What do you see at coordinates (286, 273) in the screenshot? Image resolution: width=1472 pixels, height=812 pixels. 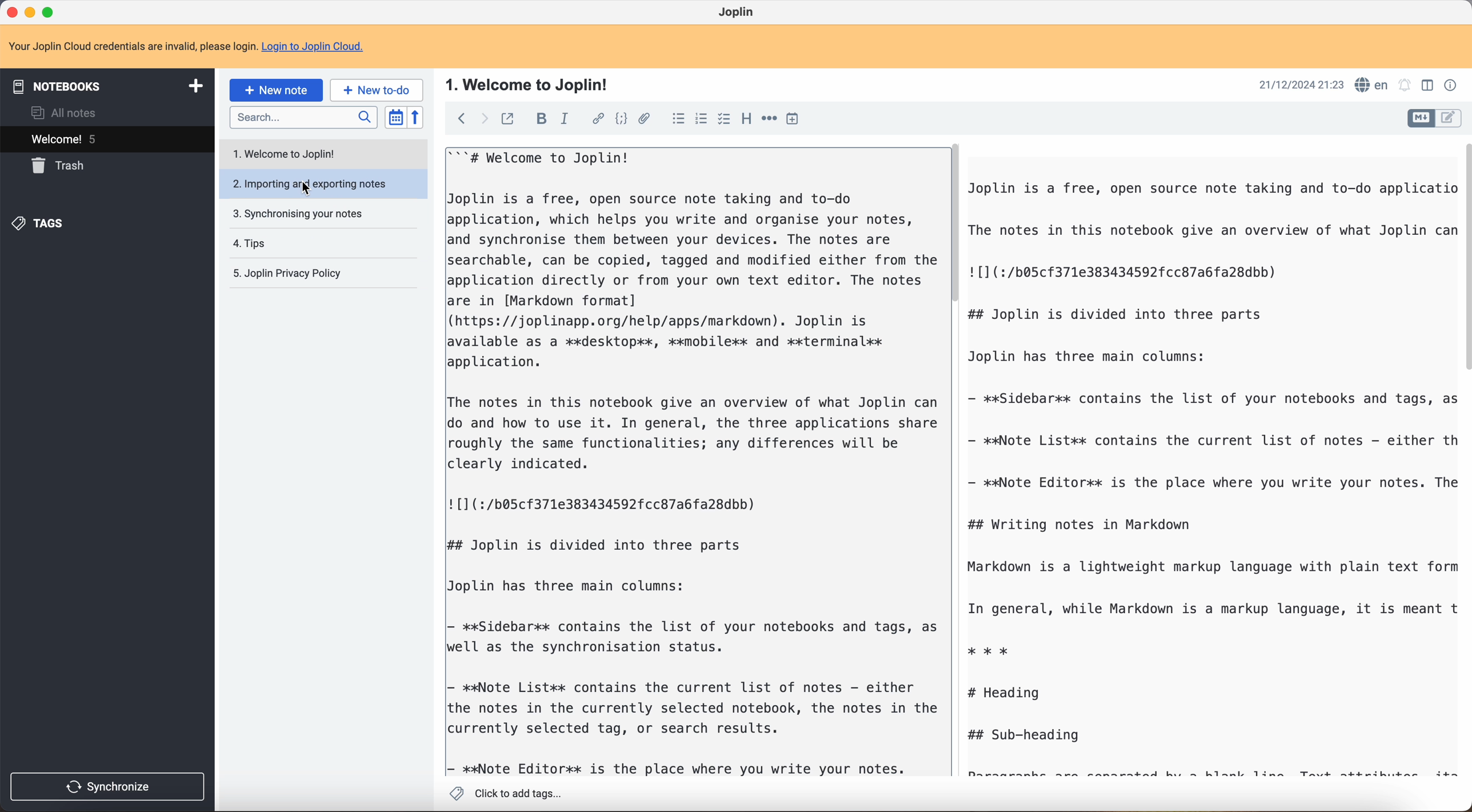 I see `Joplin privacy policy` at bounding box center [286, 273].